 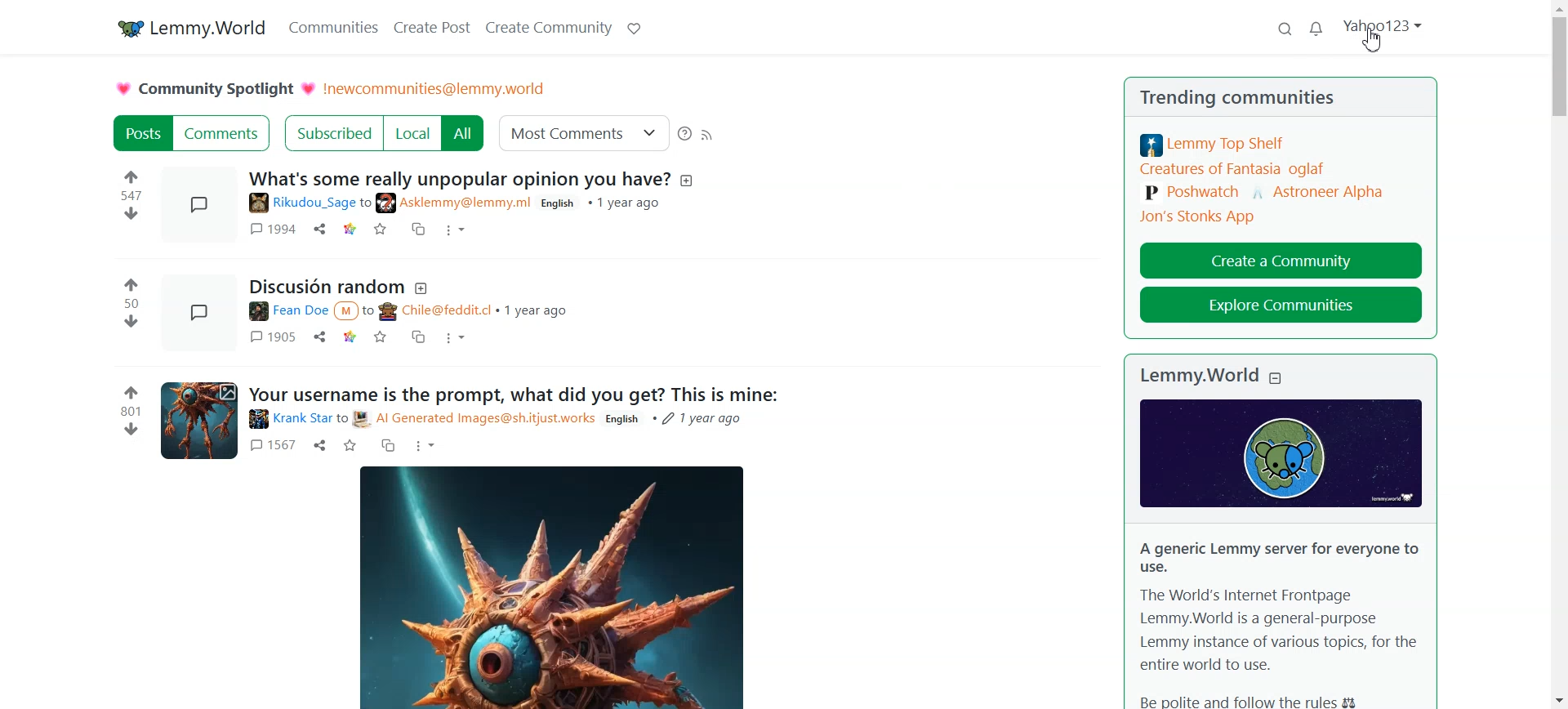 What do you see at coordinates (285, 313) in the screenshot?
I see `fean doe` at bounding box center [285, 313].